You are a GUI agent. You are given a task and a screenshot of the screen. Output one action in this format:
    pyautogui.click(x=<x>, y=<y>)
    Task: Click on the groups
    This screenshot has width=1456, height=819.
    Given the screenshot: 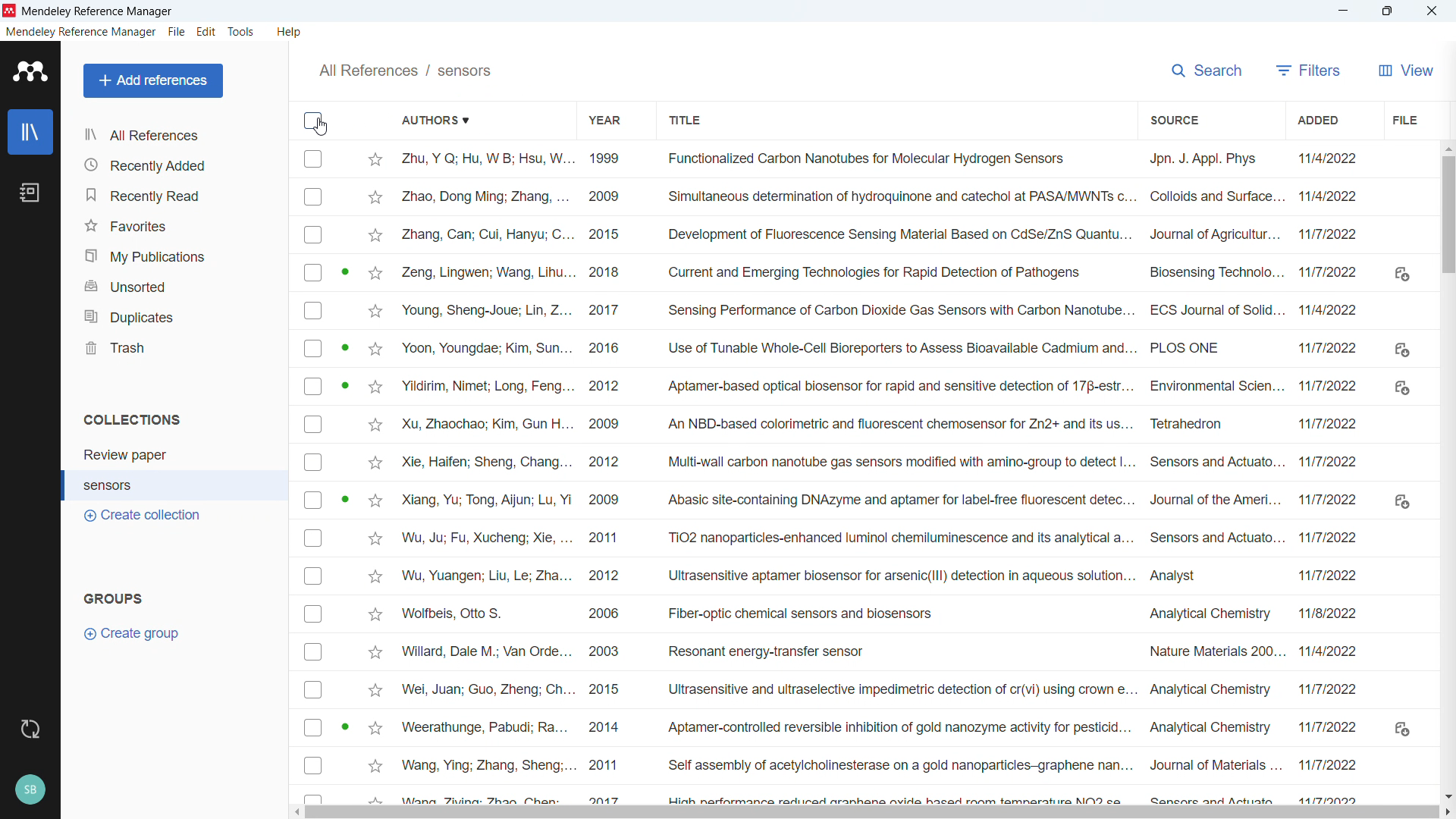 What is the action you would take?
    pyautogui.click(x=113, y=598)
    